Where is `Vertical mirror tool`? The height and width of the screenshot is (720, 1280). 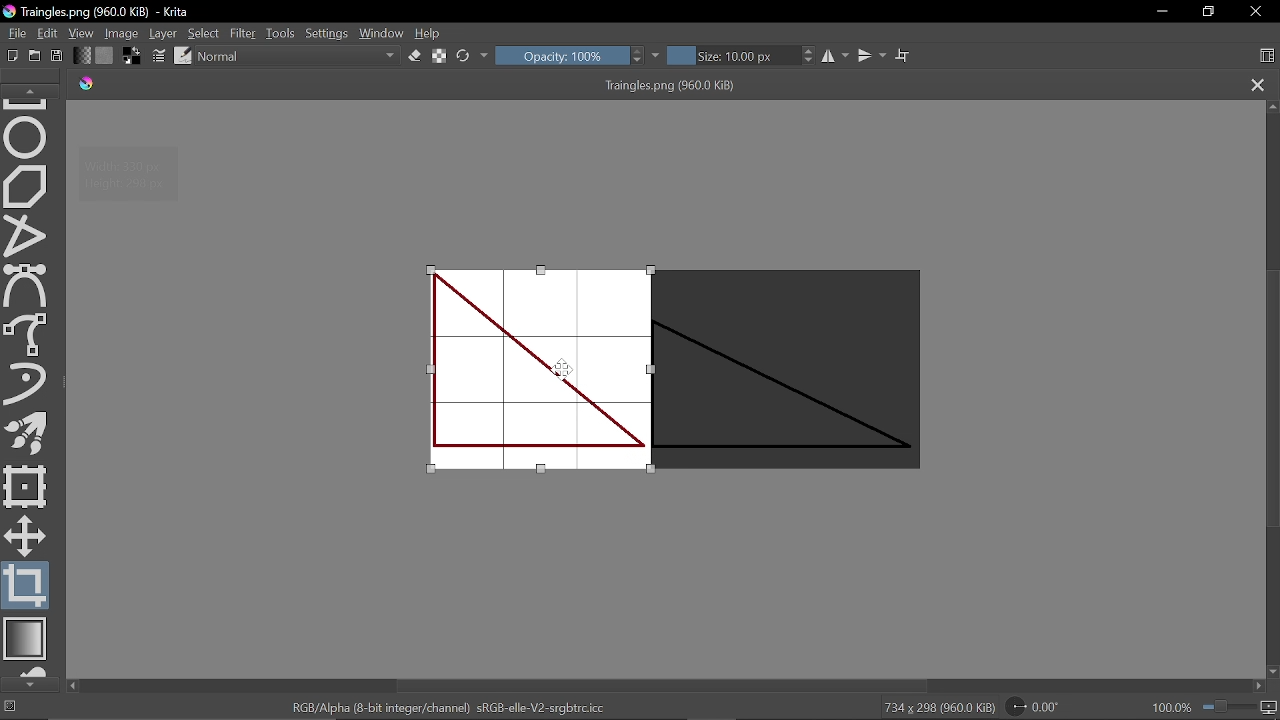 Vertical mirror tool is located at coordinates (873, 55).